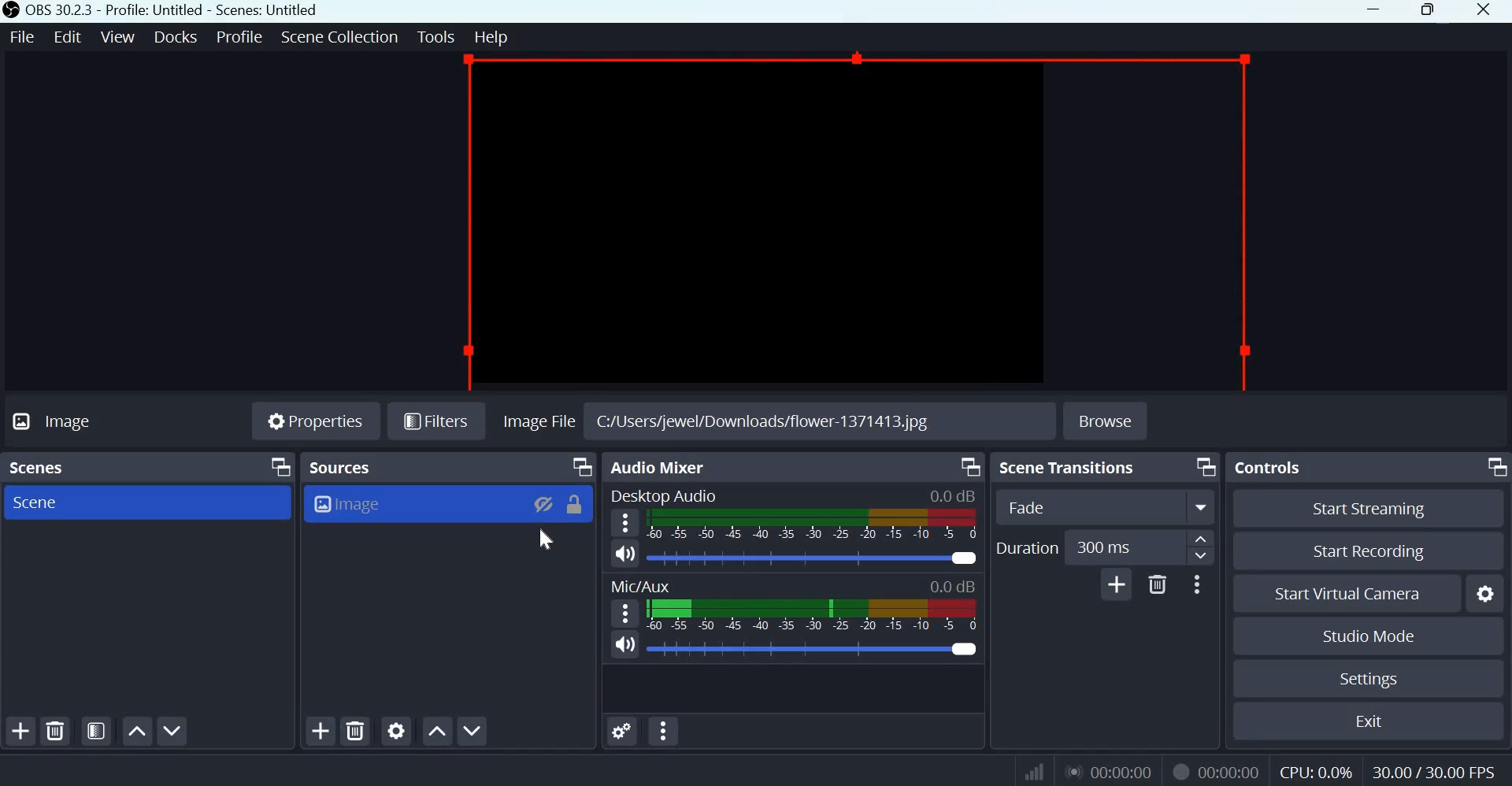  Describe the element at coordinates (815, 558) in the screenshot. I see `Audio Slider` at that location.